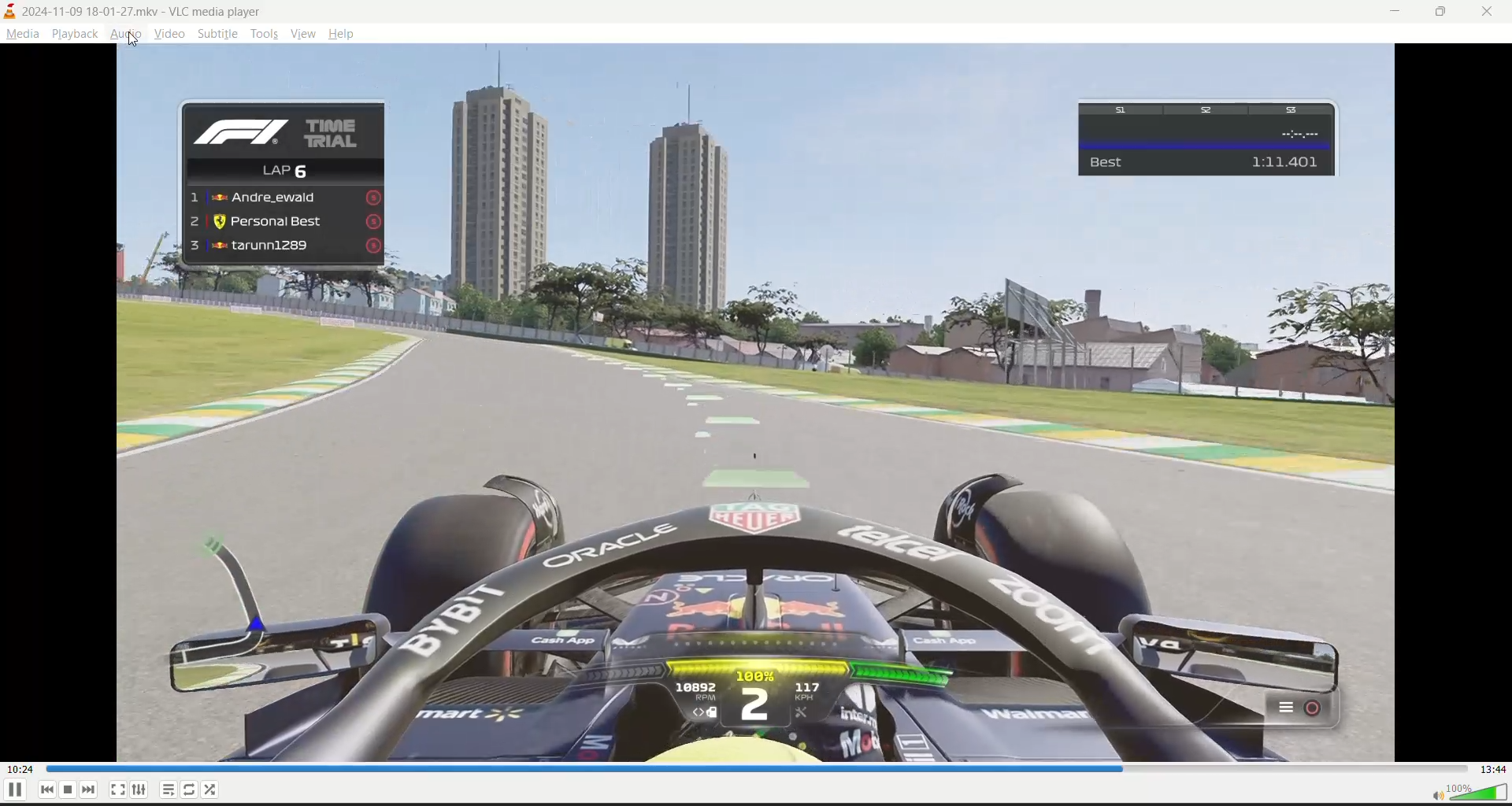  What do you see at coordinates (75, 35) in the screenshot?
I see `playback` at bounding box center [75, 35].